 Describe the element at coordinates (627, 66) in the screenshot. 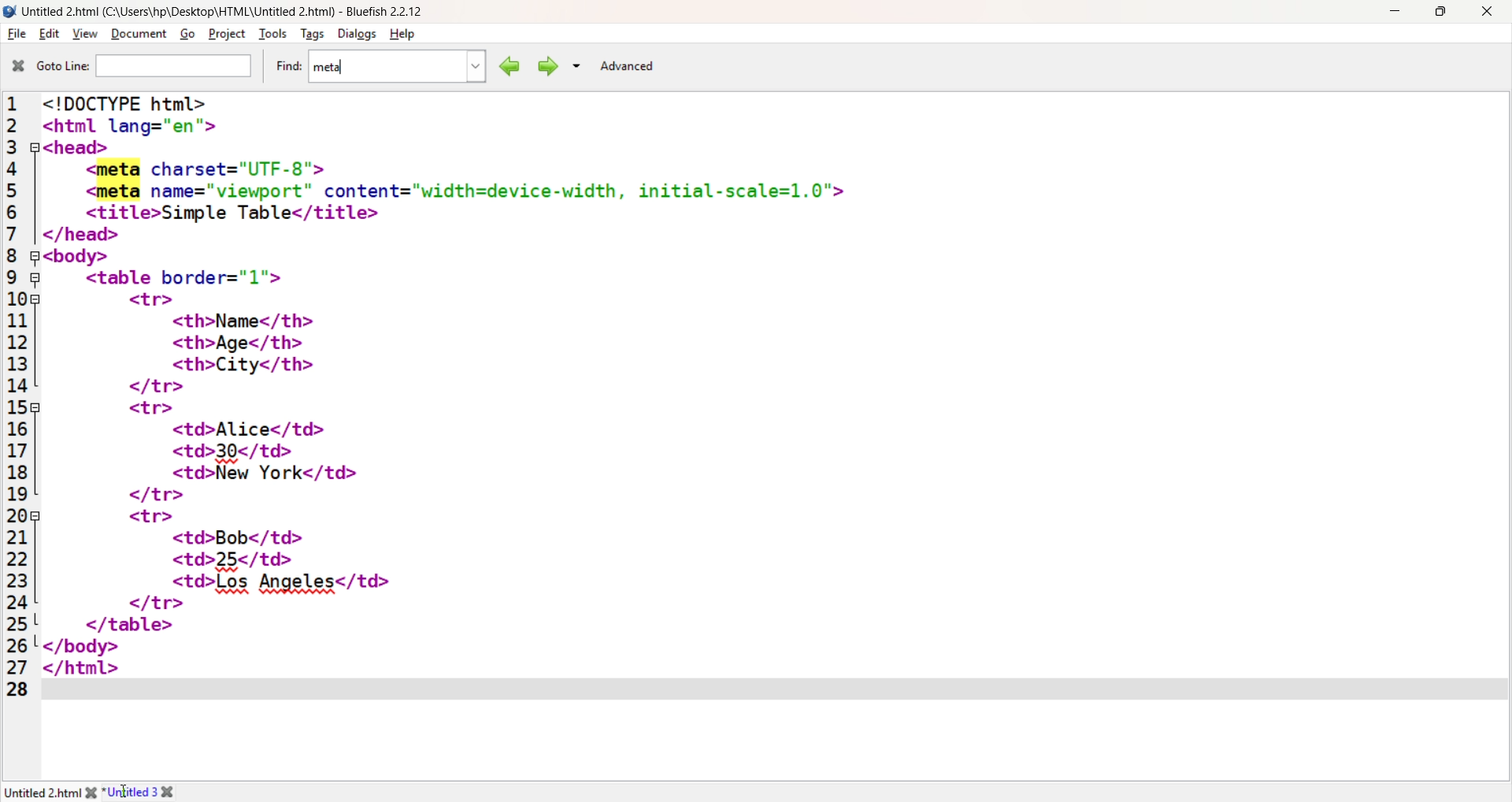

I see `Advanced` at that location.